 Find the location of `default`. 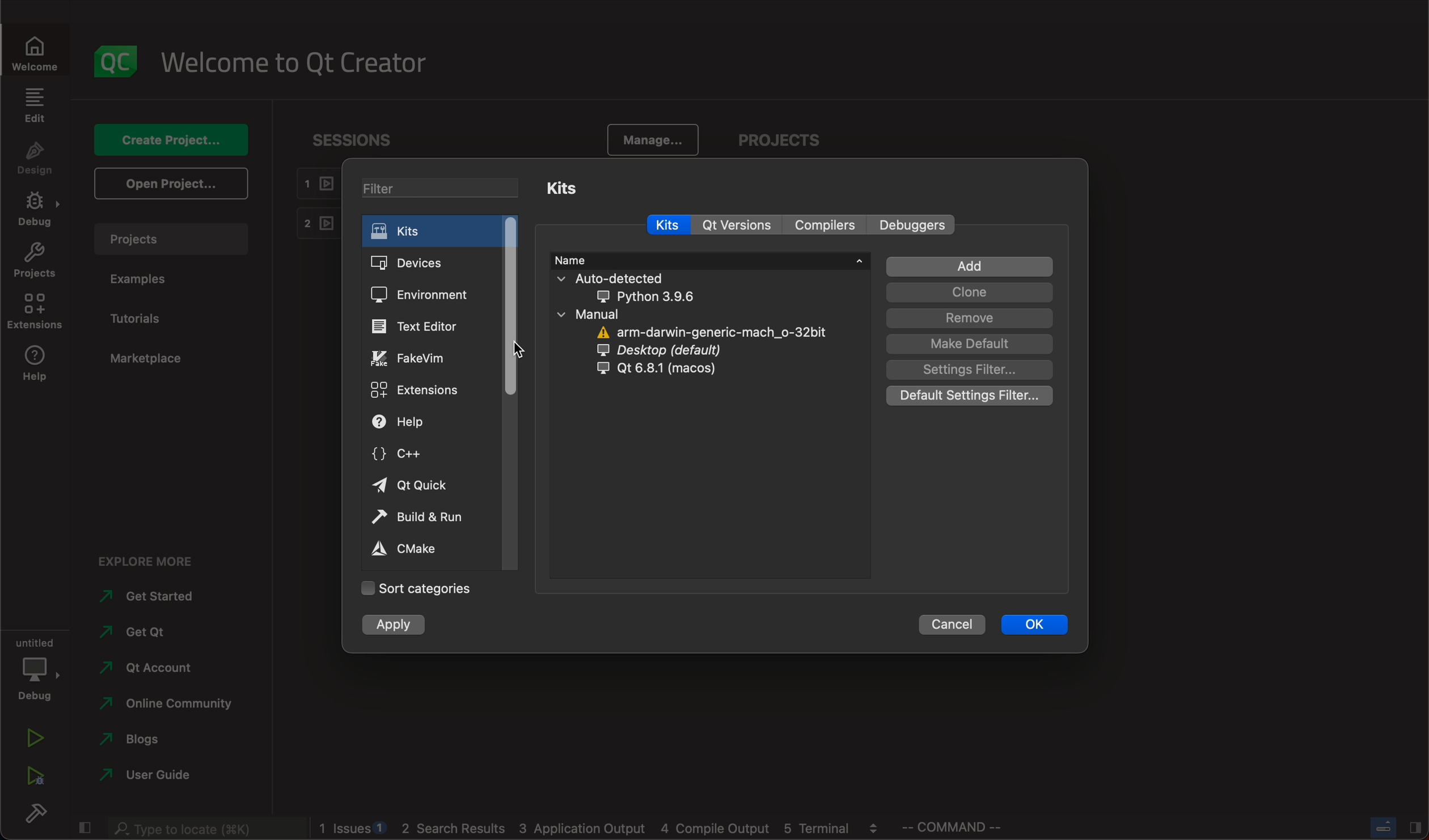

default is located at coordinates (968, 345).